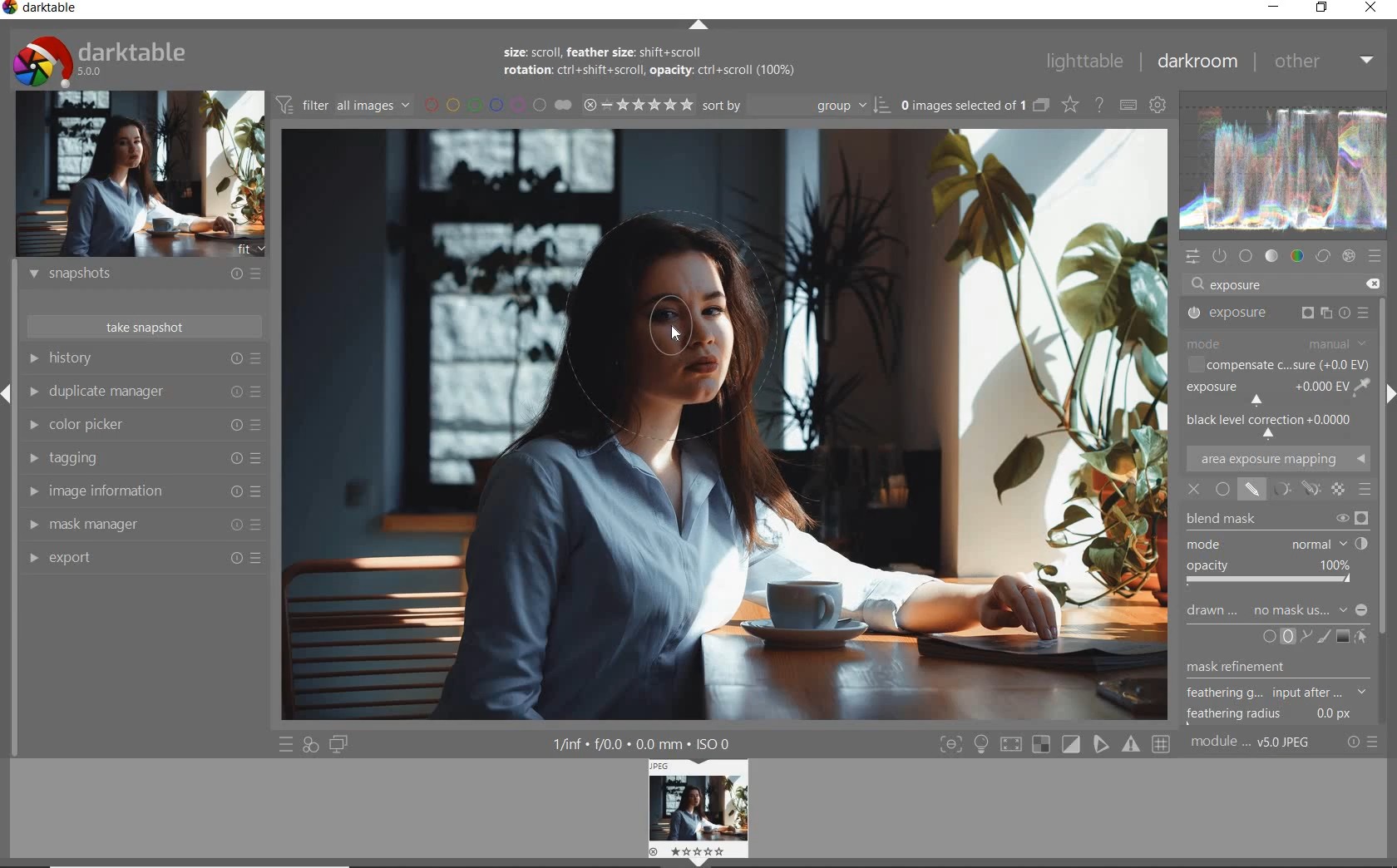 The width and height of the screenshot is (1397, 868). I want to click on ADD ELLIPSE, so click(1286, 670).